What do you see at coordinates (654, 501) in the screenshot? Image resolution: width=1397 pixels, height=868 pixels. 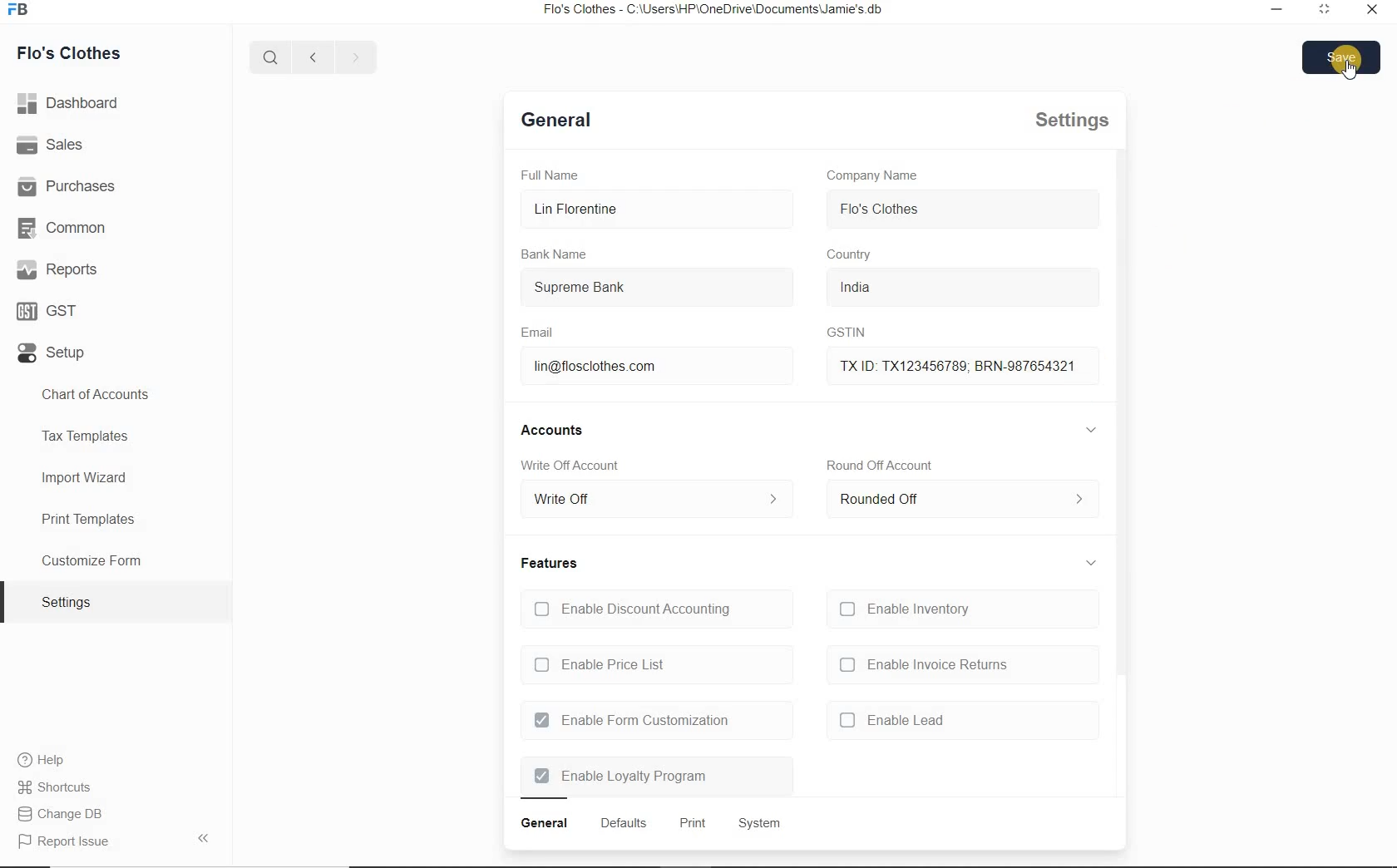 I see `write off` at bounding box center [654, 501].